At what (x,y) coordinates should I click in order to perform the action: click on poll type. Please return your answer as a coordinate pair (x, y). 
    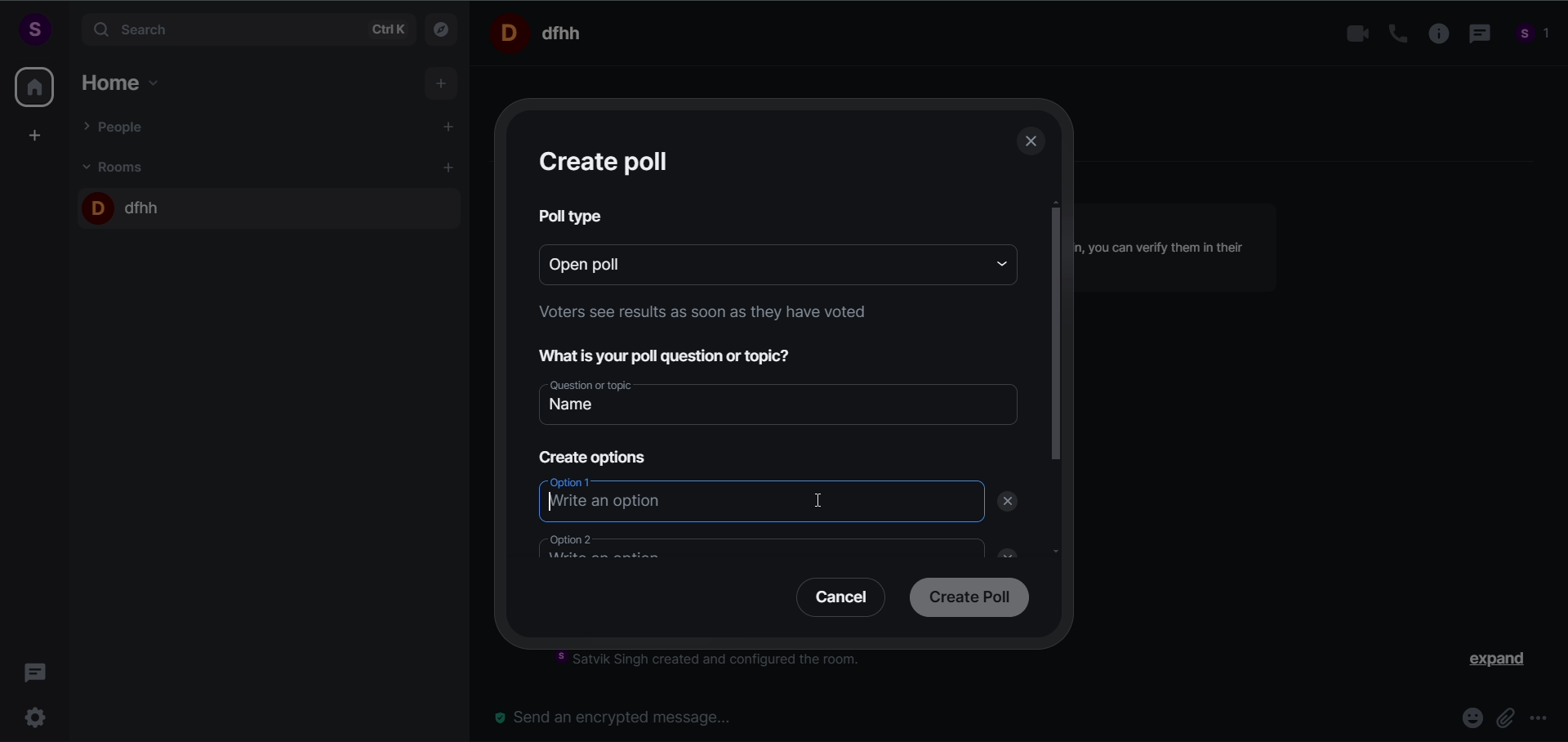
    Looking at the image, I should click on (573, 216).